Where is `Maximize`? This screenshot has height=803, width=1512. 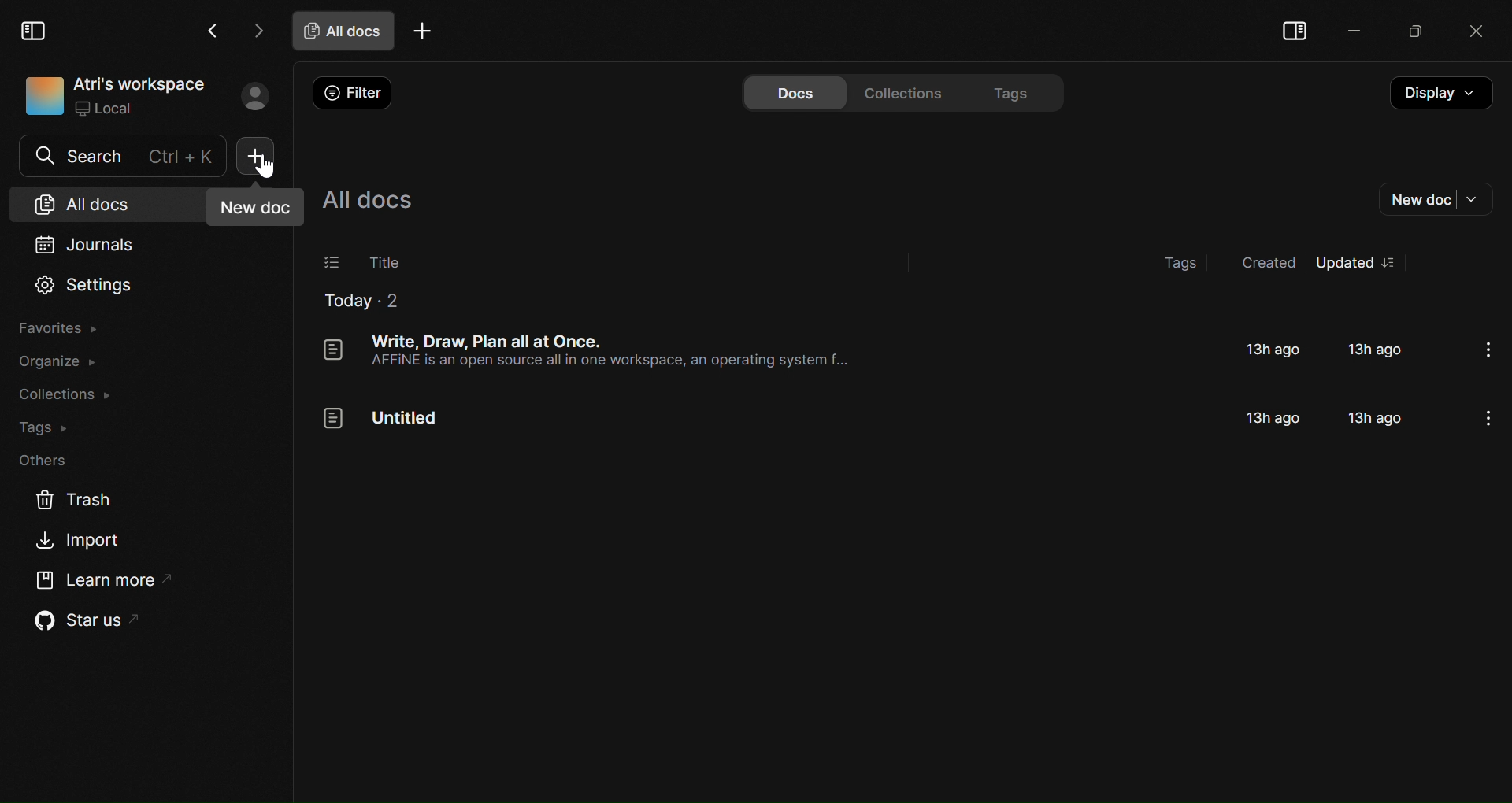
Maximize is located at coordinates (1410, 33).